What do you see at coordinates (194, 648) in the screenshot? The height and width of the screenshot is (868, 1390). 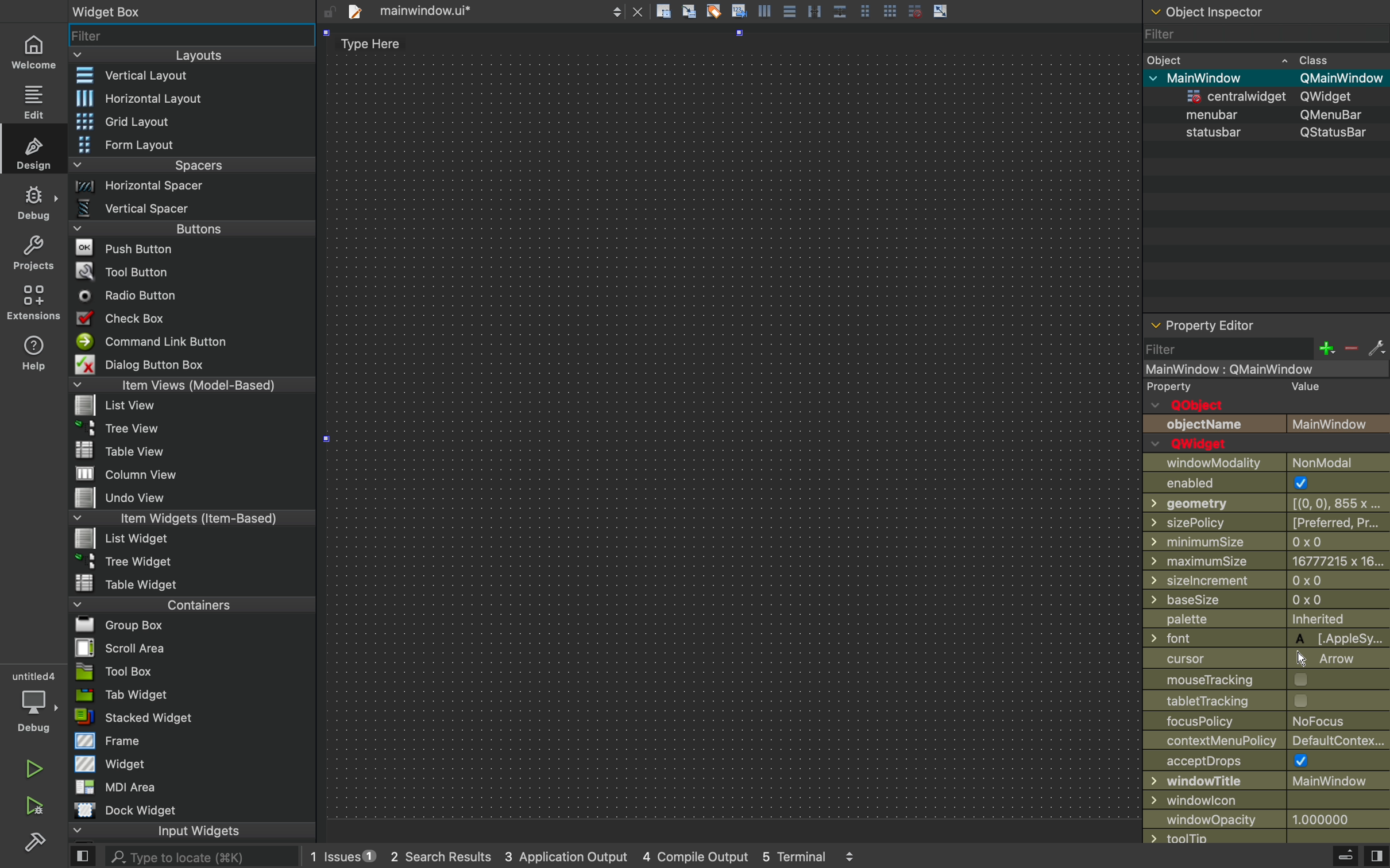 I see `scroll area` at bounding box center [194, 648].